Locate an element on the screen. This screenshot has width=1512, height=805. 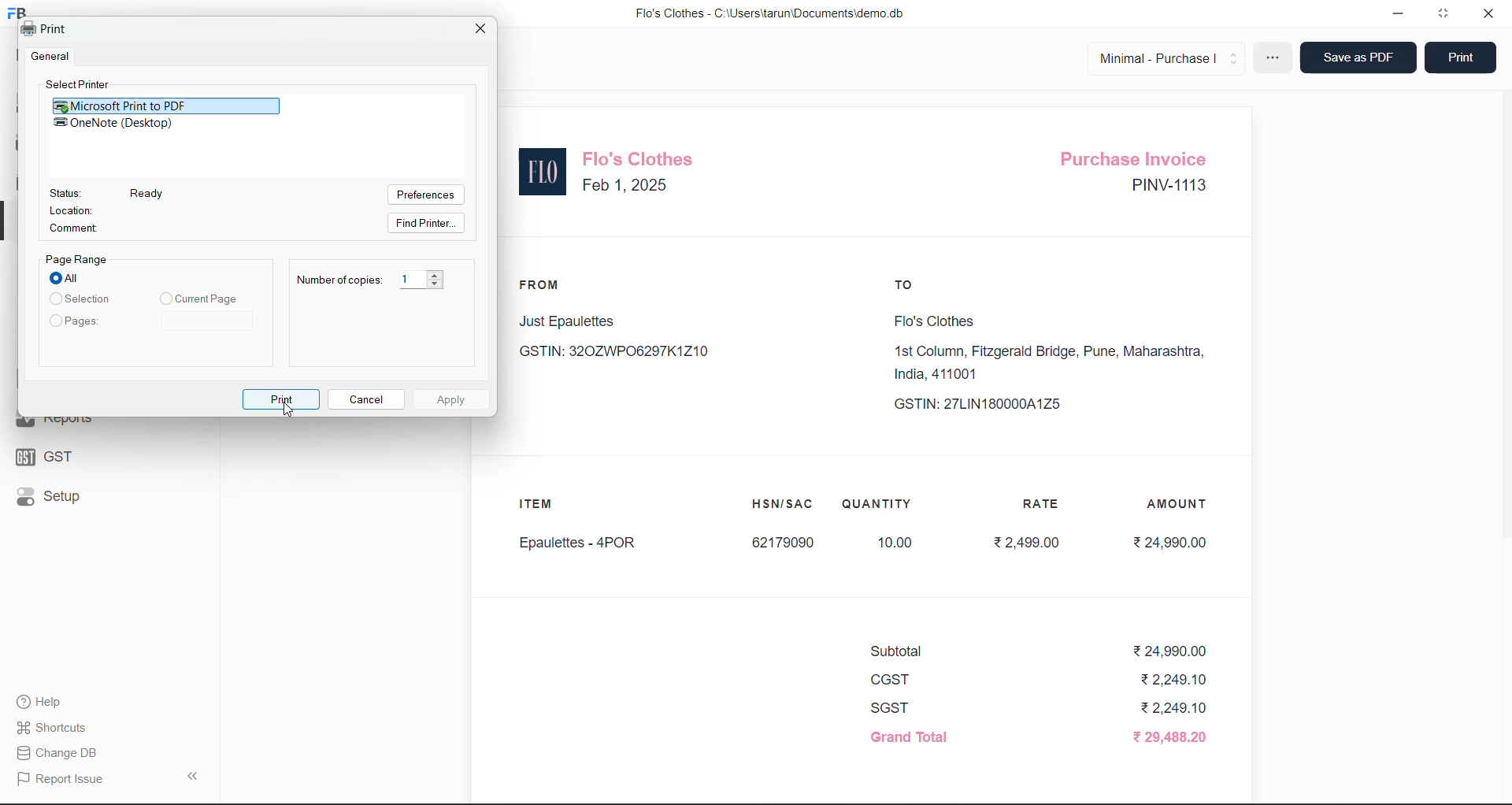
RATE is located at coordinates (1044, 502).